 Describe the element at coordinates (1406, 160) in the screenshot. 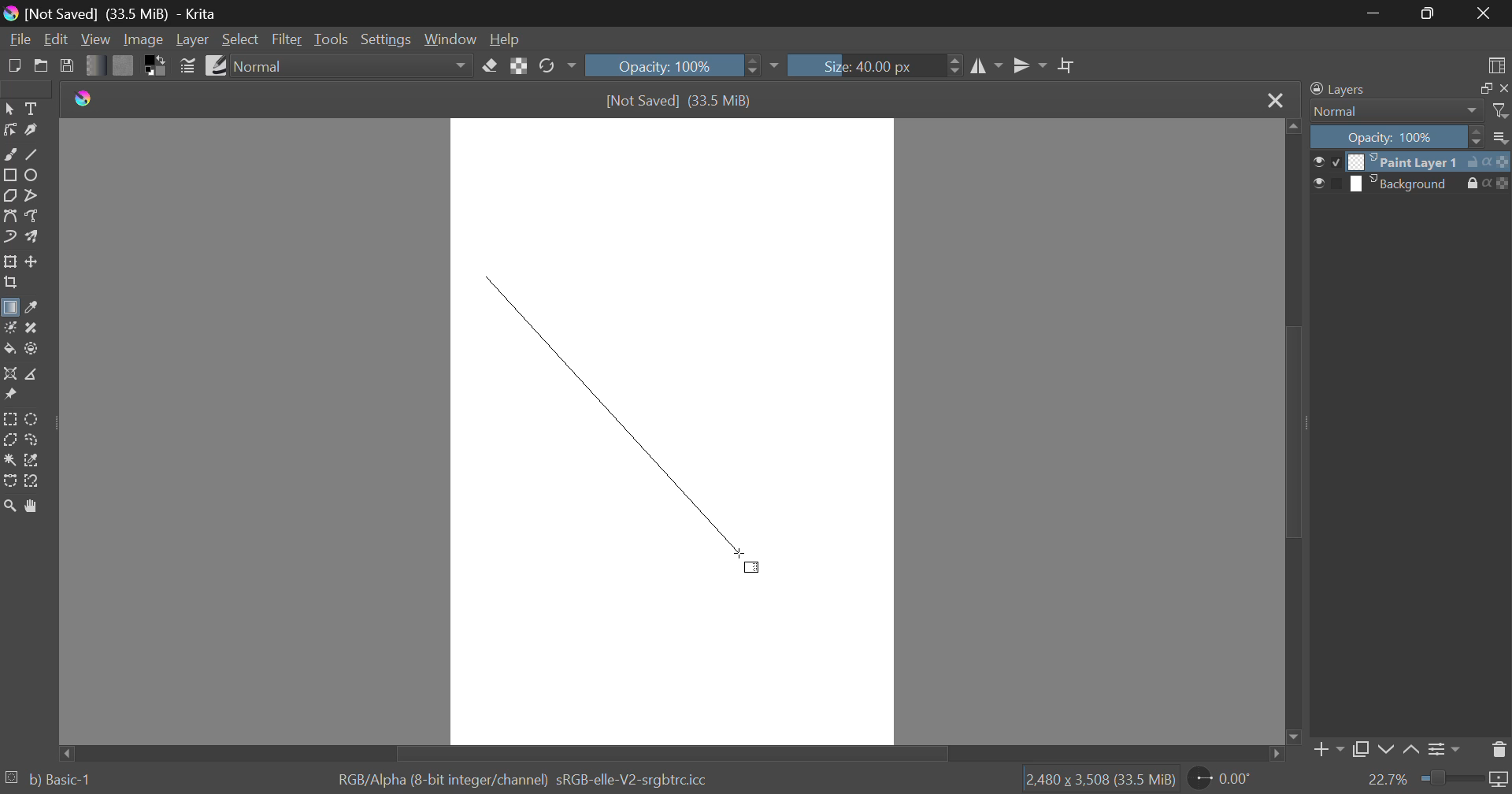

I see `Paint Layer 1` at that location.